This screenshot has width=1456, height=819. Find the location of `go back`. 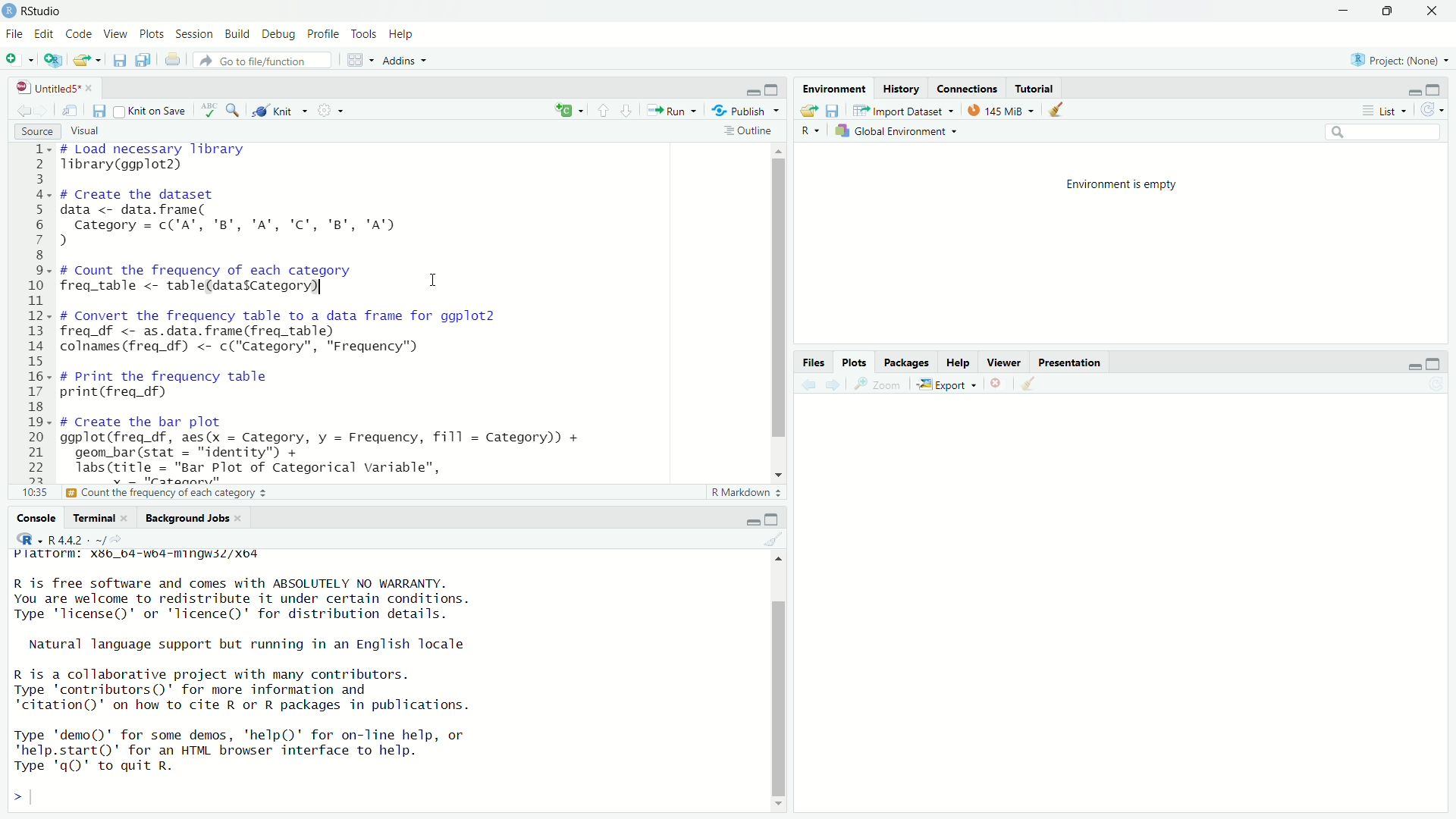

go back is located at coordinates (24, 111).